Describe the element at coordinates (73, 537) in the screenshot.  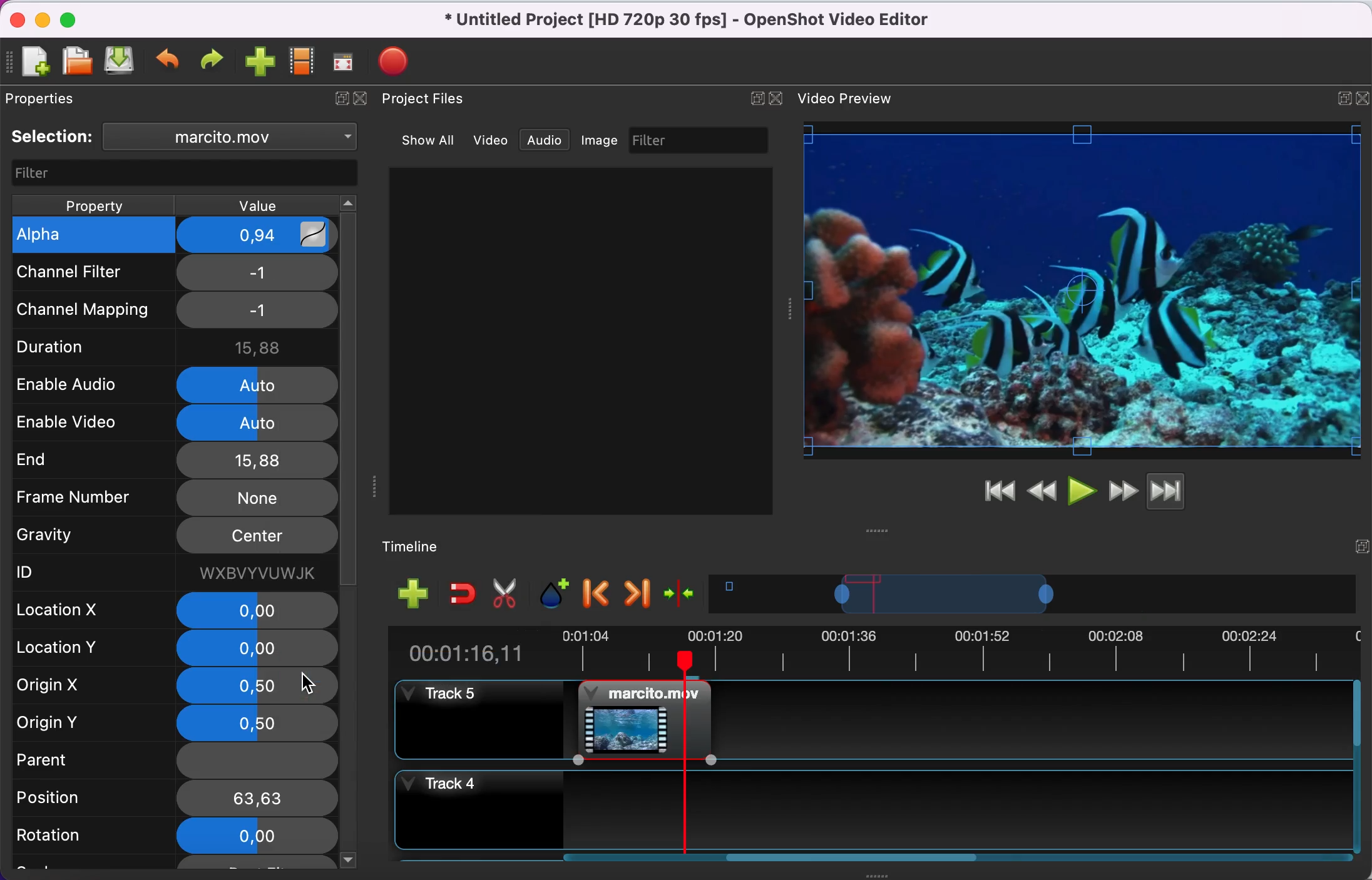
I see `Gravity` at that location.